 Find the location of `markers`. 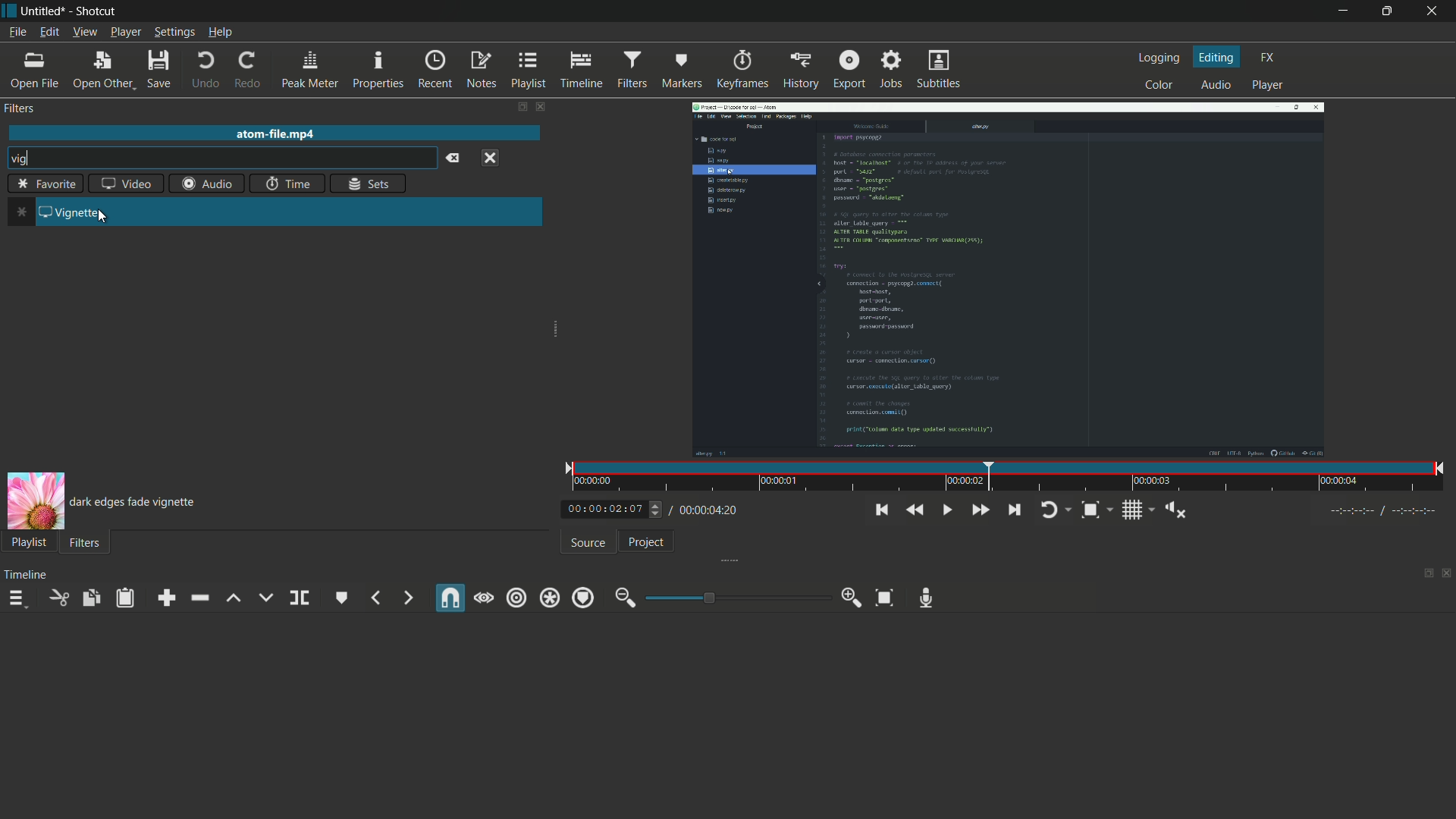

markers is located at coordinates (681, 71).